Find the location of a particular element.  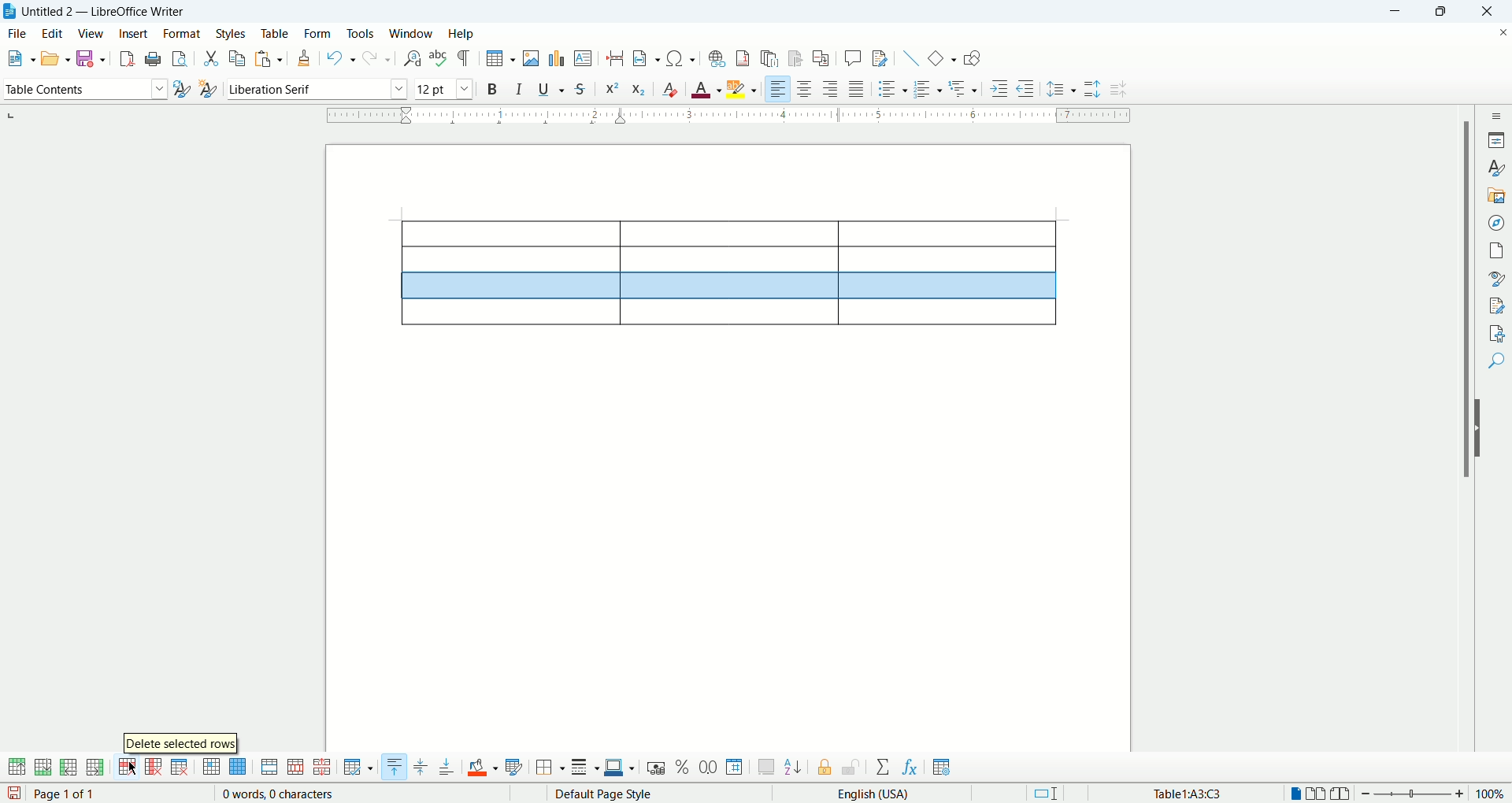

insert table is located at coordinates (500, 59).